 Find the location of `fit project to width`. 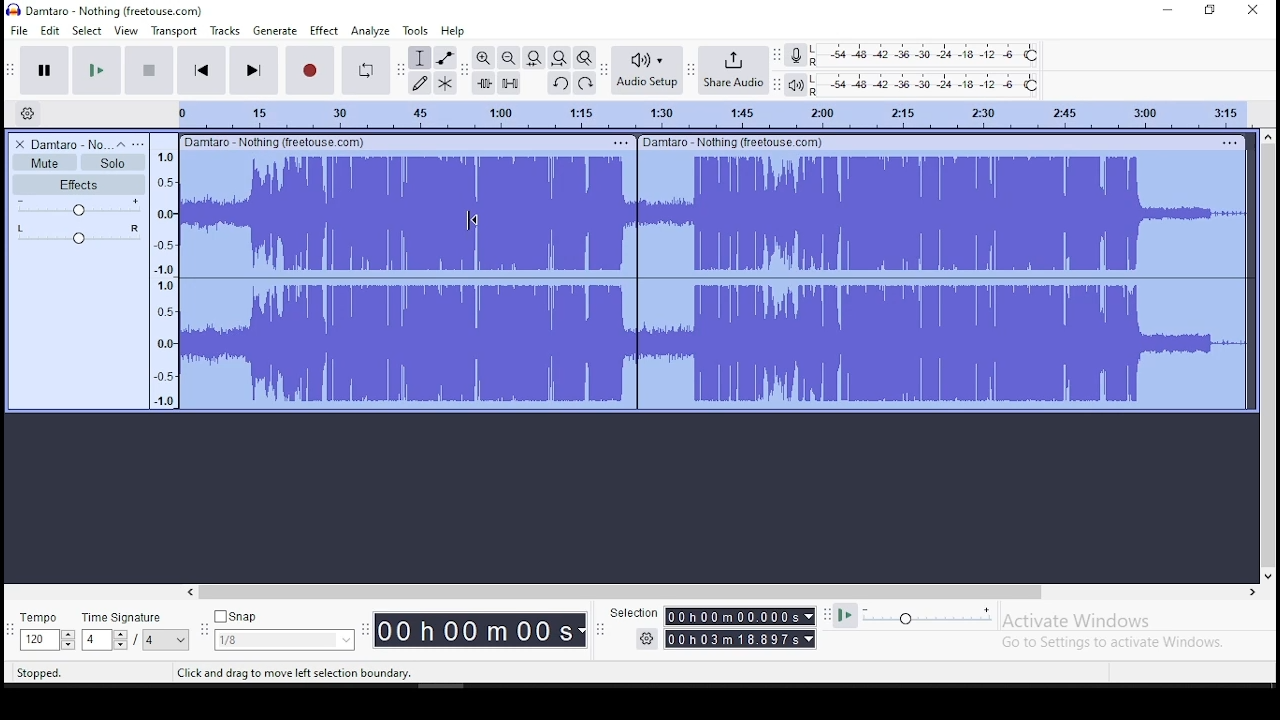

fit project to width is located at coordinates (535, 56).